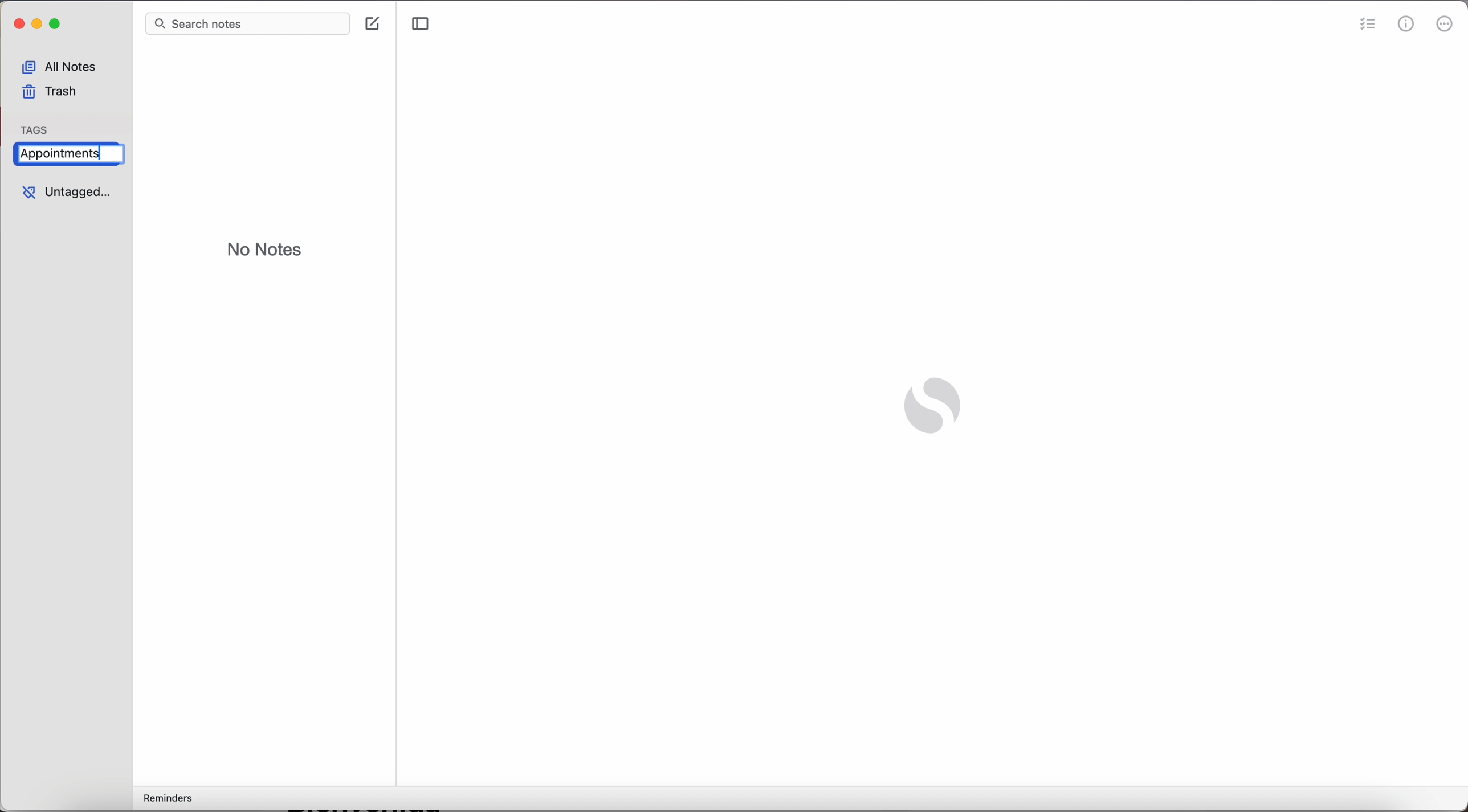 Image resolution: width=1468 pixels, height=812 pixels. What do you see at coordinates (36, 126) in the screenshot?
I see `tag` at bounding box center [36, 126].